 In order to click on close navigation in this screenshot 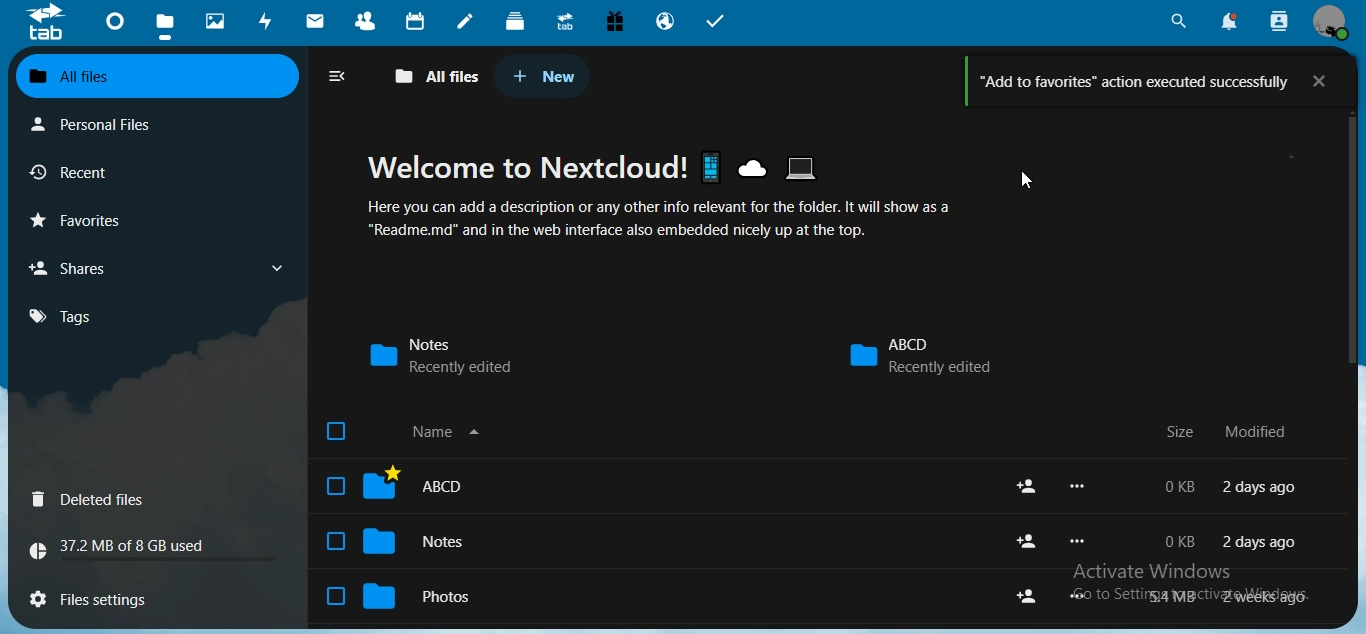, I will do `click(336, 74)`.